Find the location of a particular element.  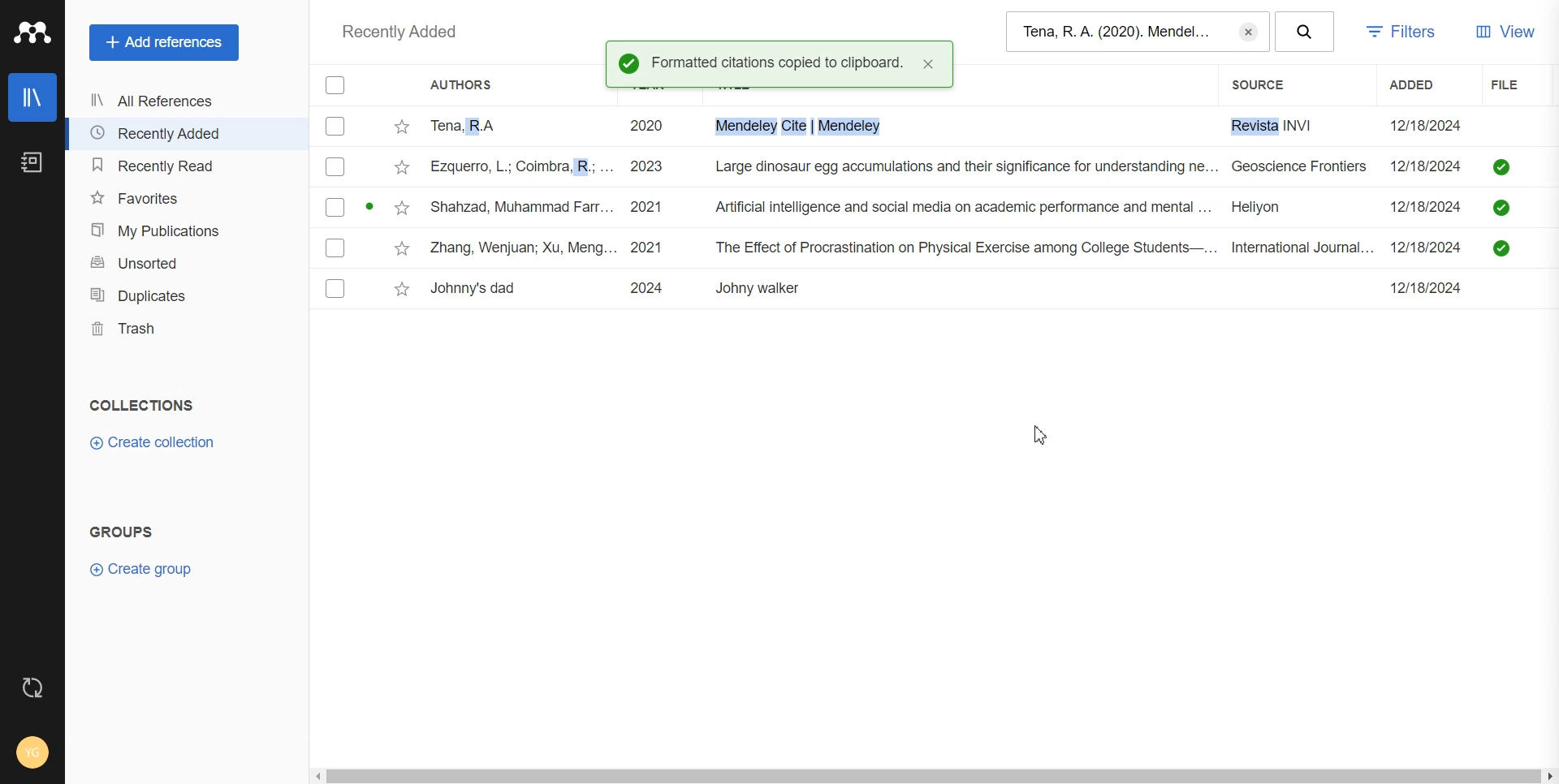

12/18/2024 is located at coordinates (1427, 166).